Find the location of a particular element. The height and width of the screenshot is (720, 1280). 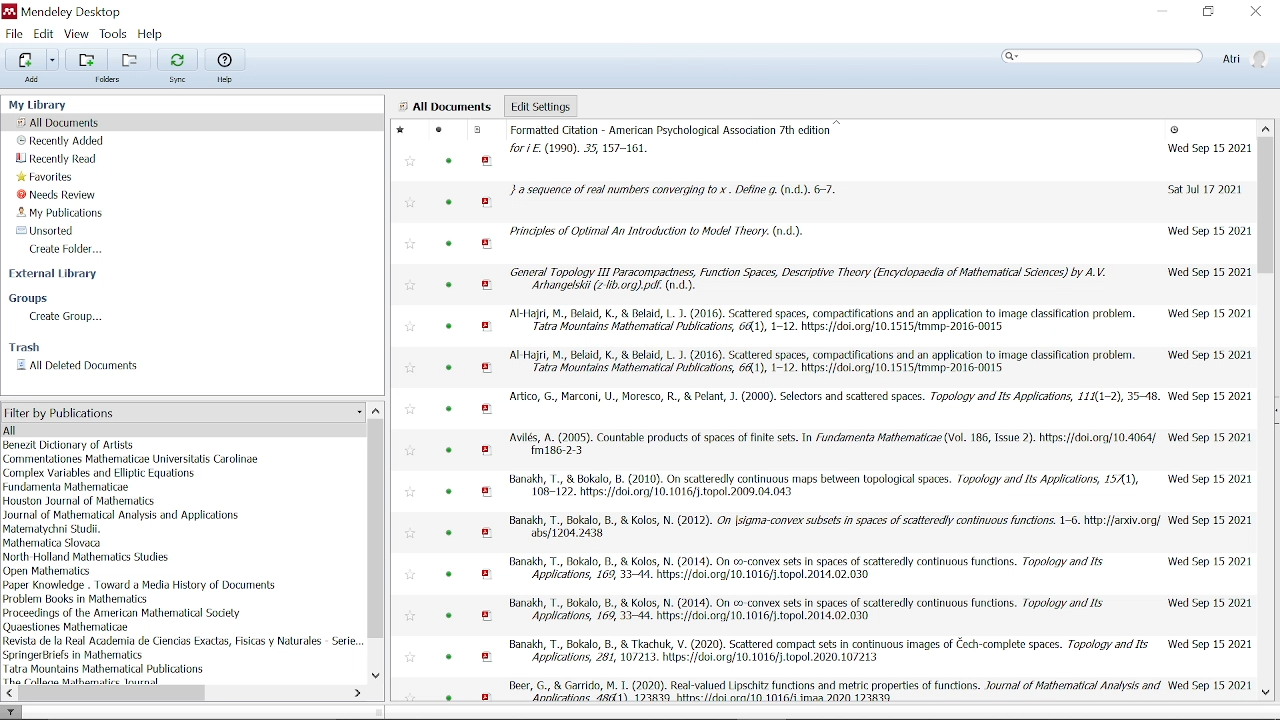

author is located at coordinates (99, 474).